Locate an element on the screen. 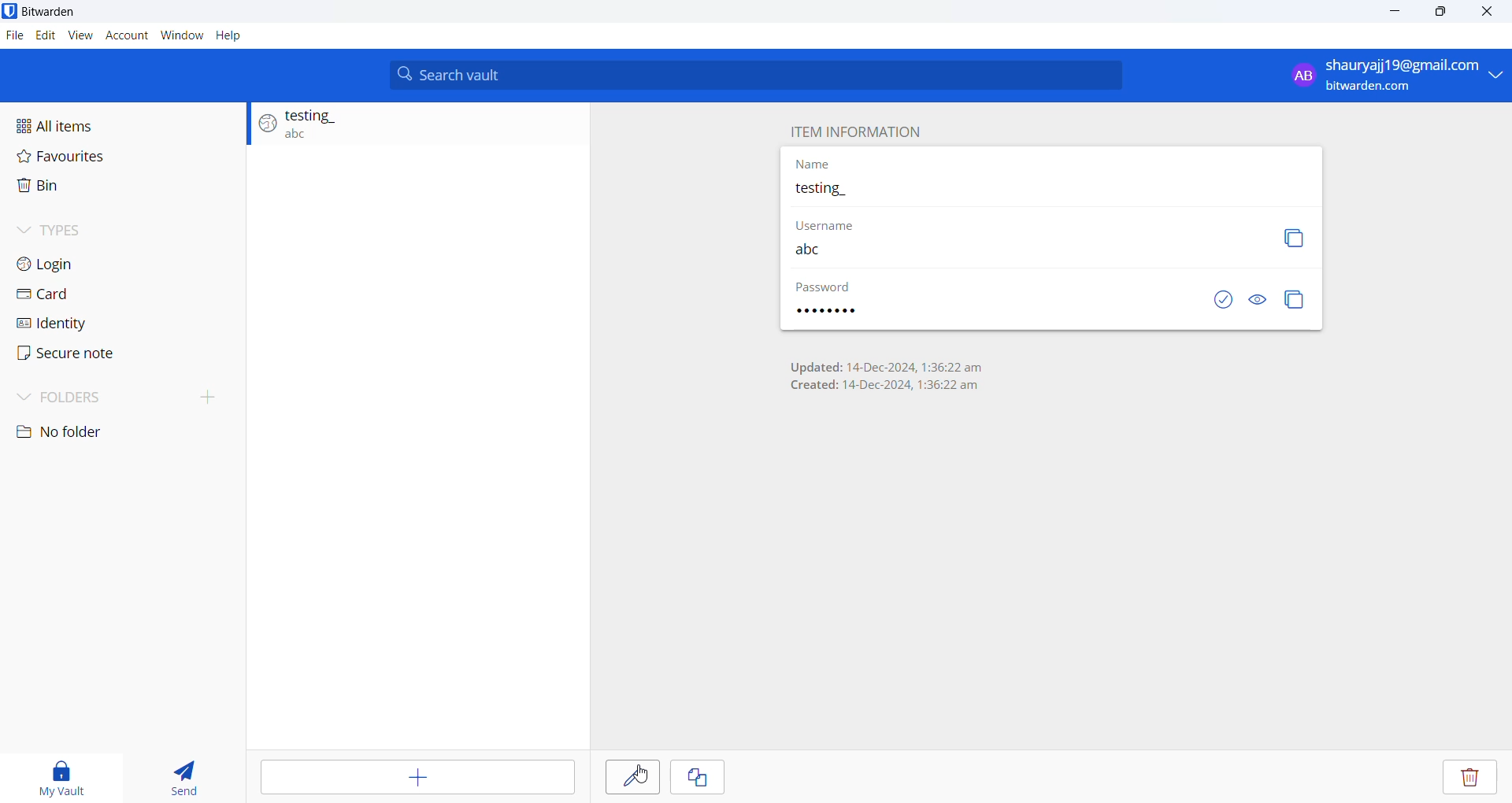 The width and height of the screenshot is (1512, 803). Updation and creation date is located at coordinates (885, 373).